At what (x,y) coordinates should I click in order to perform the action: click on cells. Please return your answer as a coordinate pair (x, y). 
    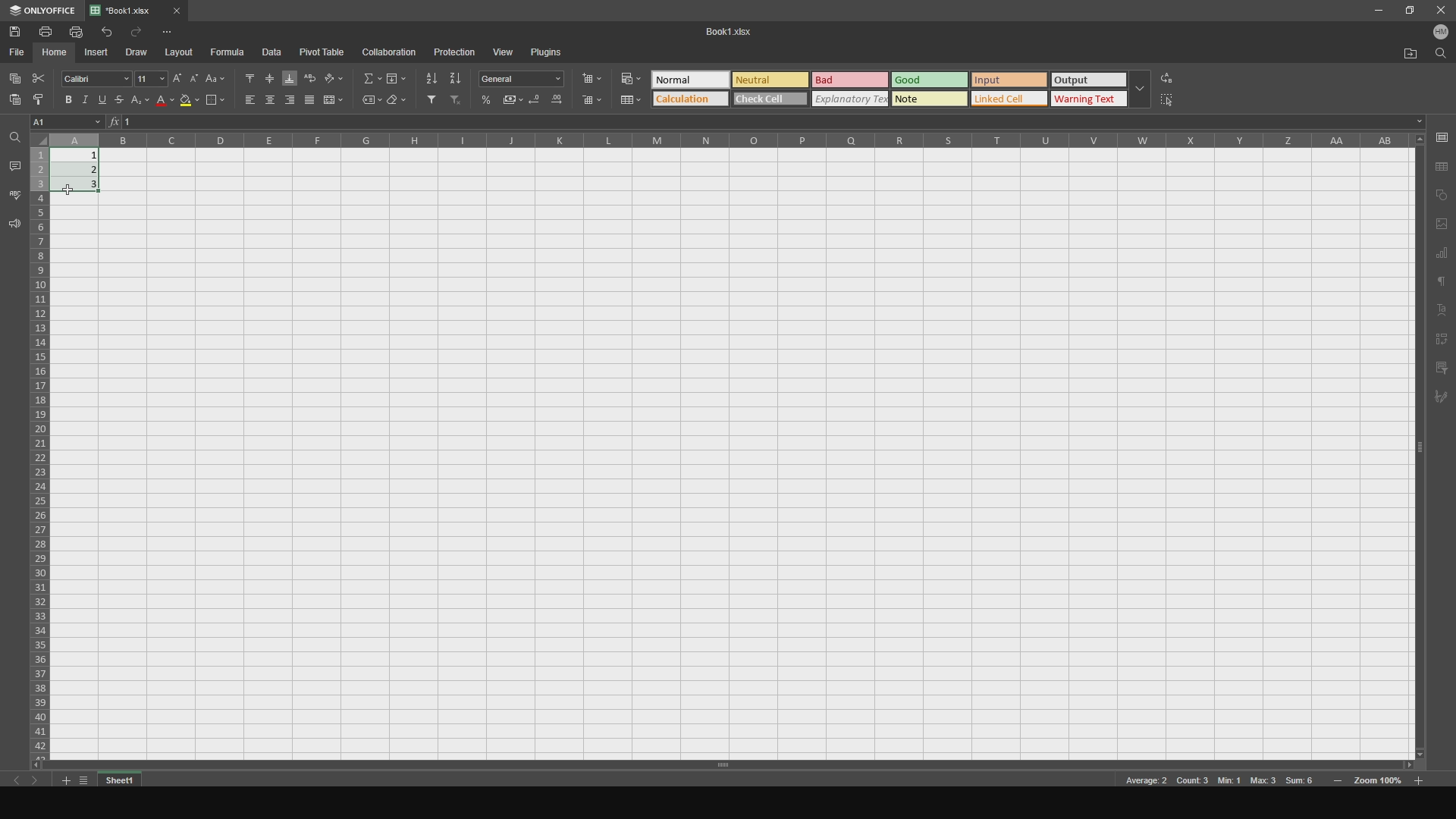
    Looking at the image, I should click on (39, 445).